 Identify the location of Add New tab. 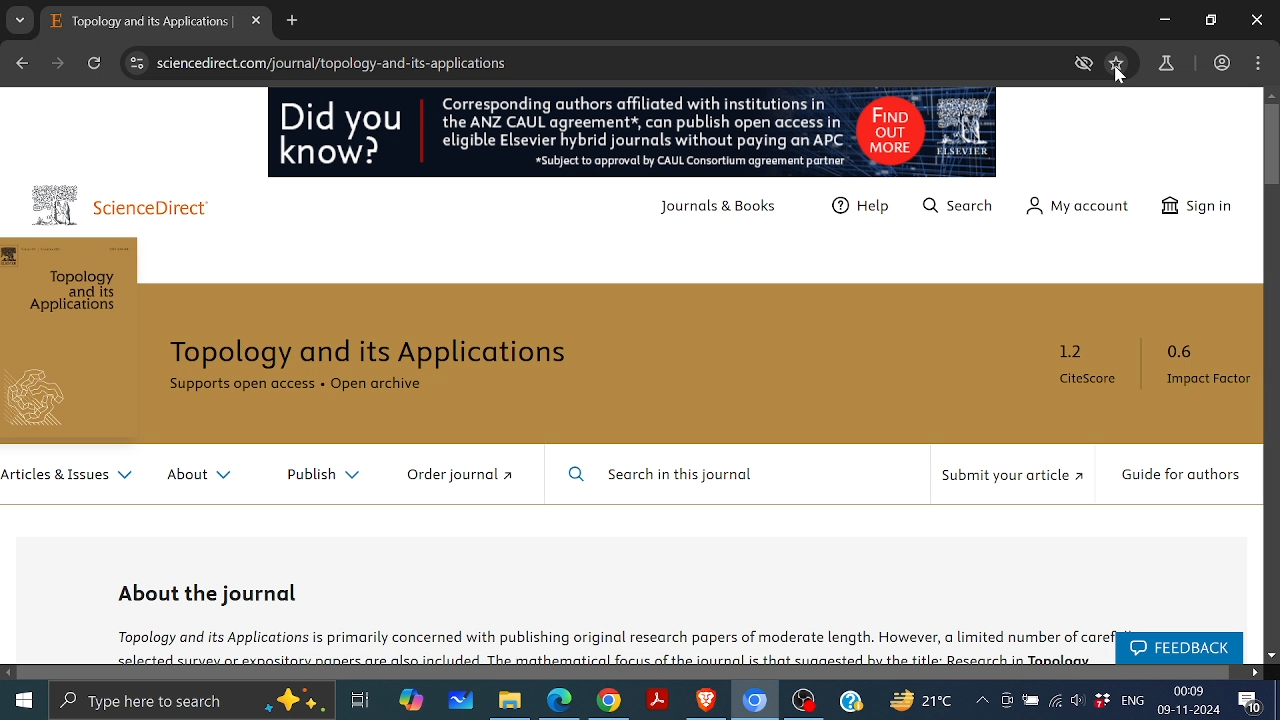
(293, 22).